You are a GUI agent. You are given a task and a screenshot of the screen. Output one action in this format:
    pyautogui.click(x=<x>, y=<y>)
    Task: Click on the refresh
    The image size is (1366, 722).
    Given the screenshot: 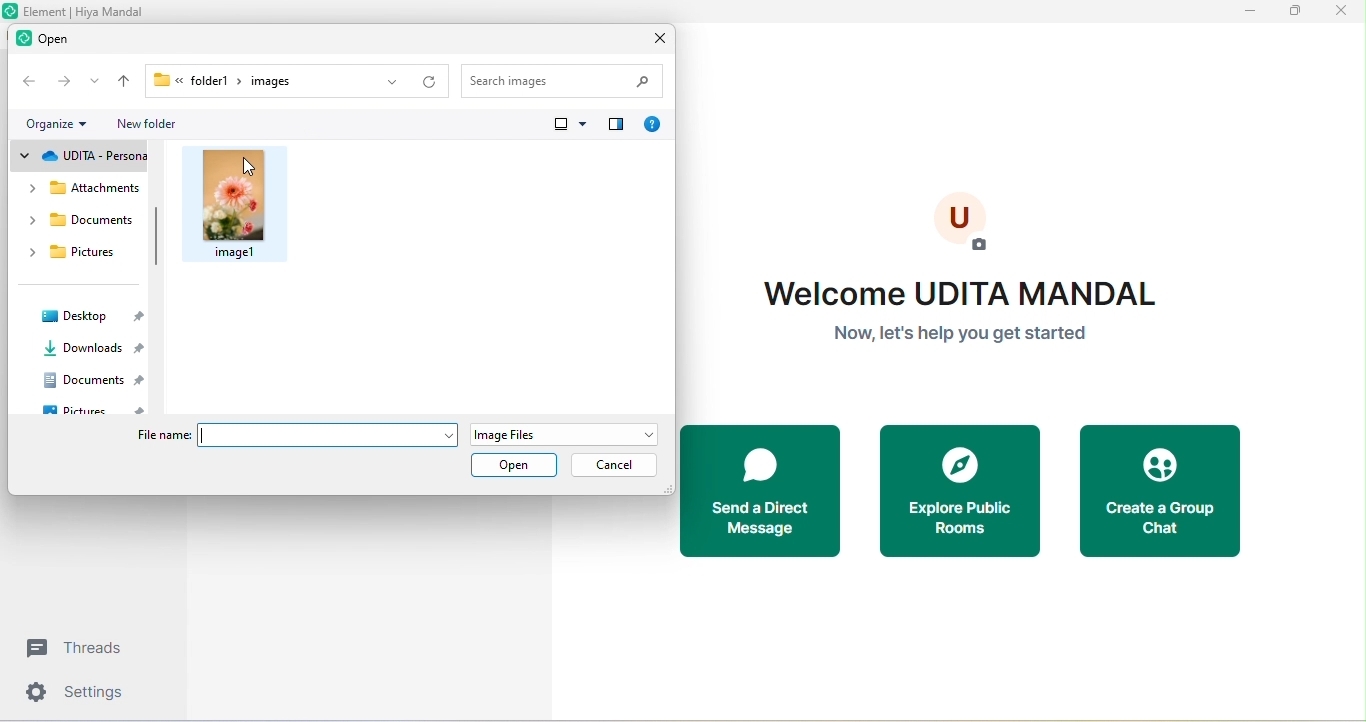 What is the action you would take?
    pyautogui.click(x=431, y=76)
    